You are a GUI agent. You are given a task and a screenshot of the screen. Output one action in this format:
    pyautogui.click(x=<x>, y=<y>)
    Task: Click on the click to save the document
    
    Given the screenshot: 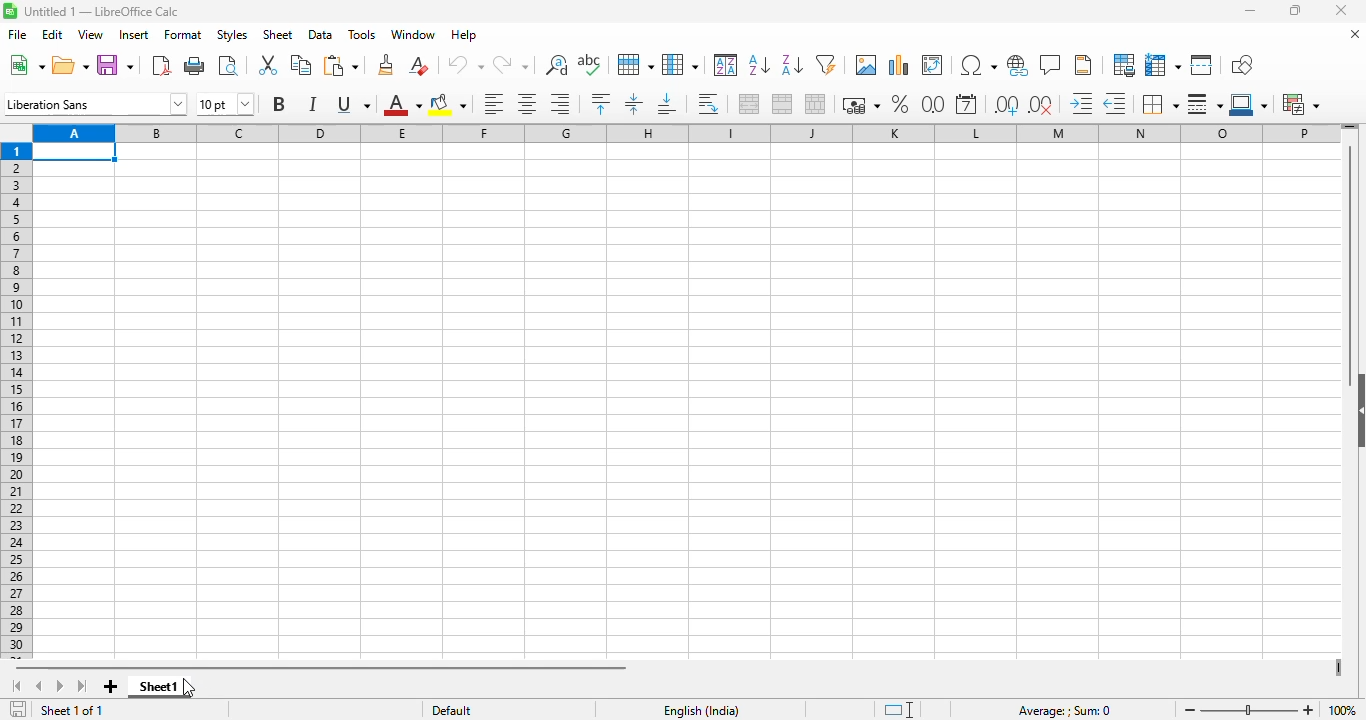 What is the action you would take?
    pyautogui.click(x=18, y=708)
    